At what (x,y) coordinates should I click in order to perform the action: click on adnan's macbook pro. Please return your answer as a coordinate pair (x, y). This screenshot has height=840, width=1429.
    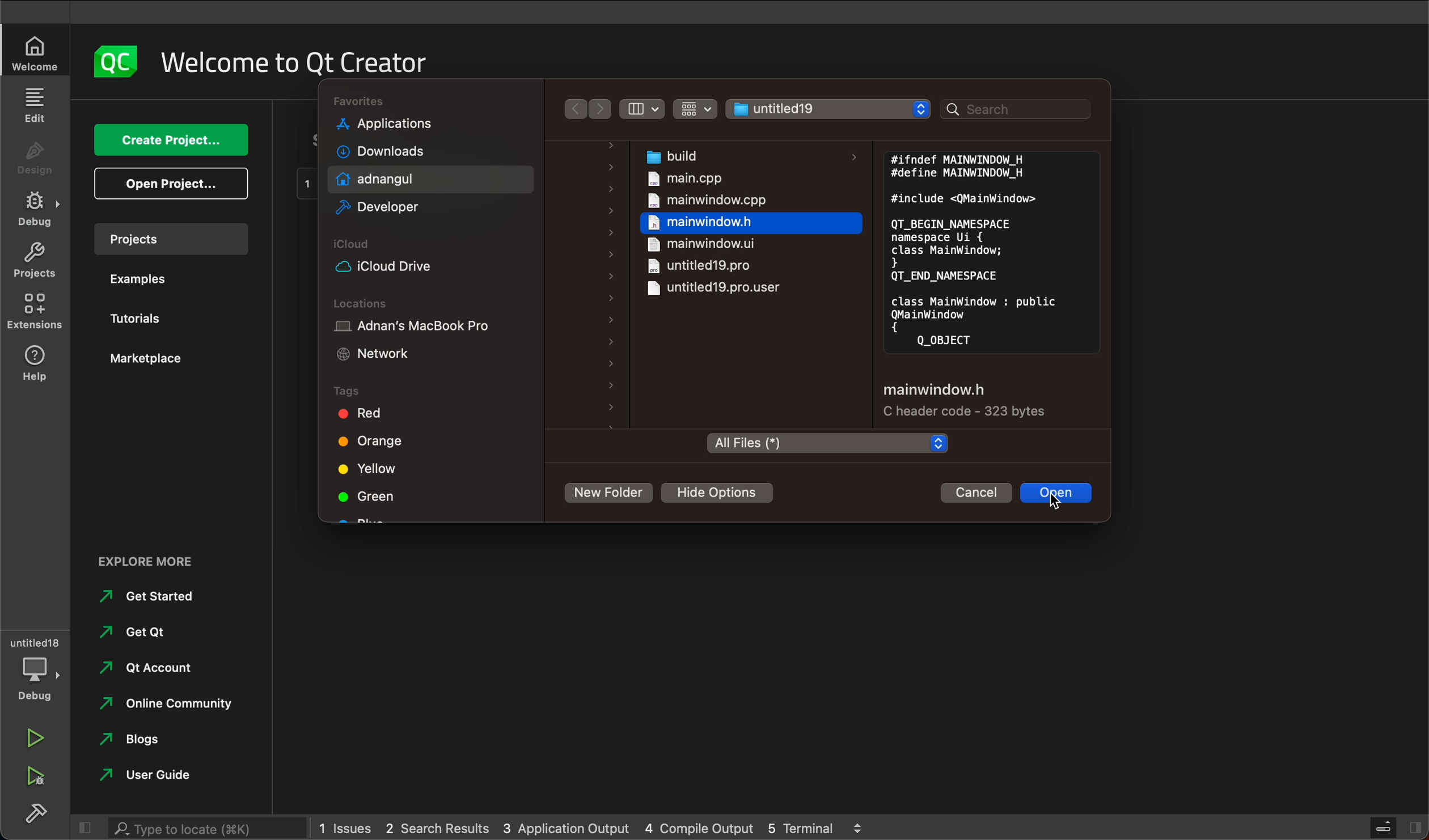
    Looking at the image, I should click on (429, 328).